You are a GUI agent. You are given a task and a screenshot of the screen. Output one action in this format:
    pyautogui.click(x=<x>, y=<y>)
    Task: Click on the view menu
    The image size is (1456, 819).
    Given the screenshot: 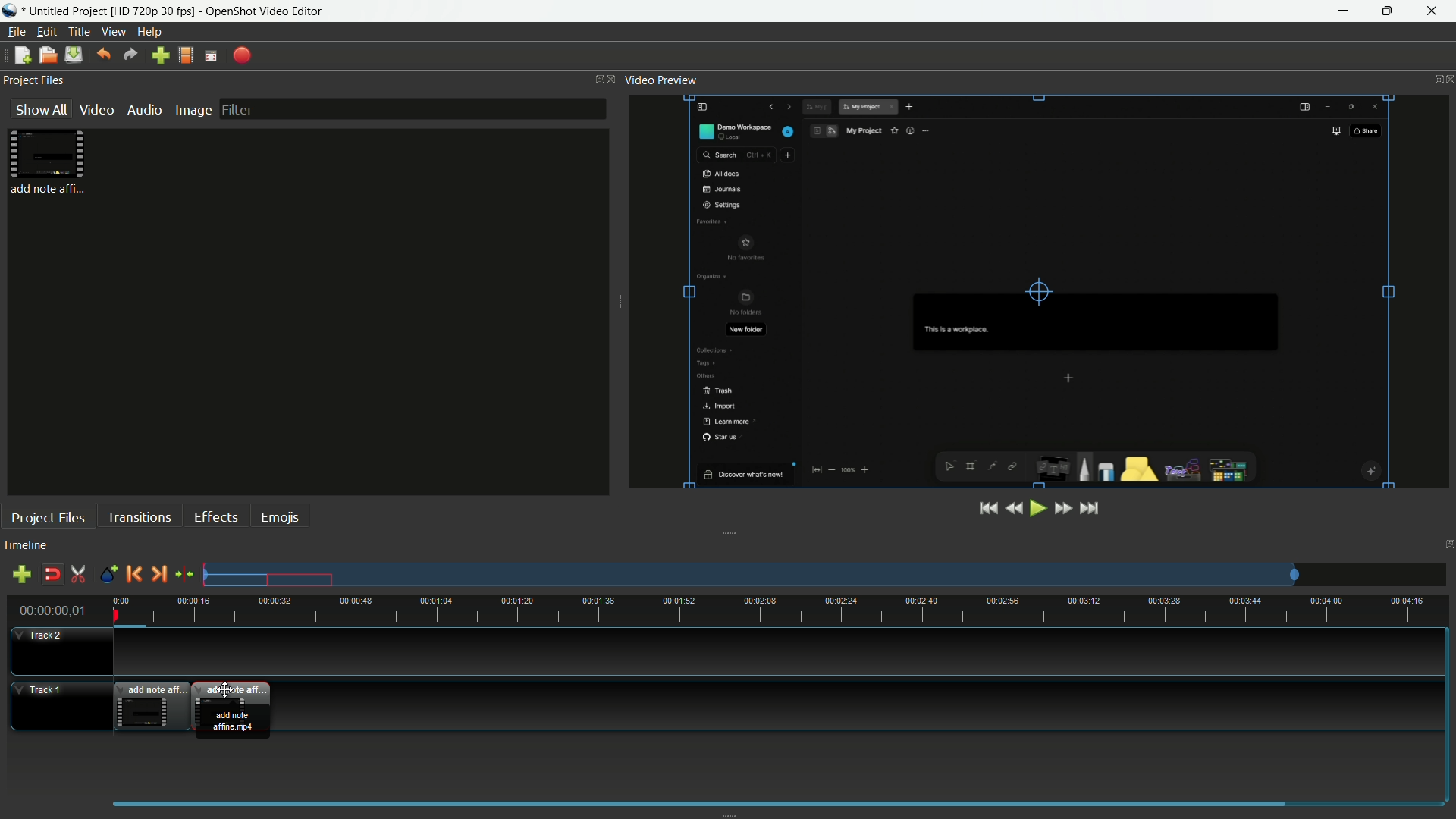 What is the action you would take?
    pyautogui.click(x=113, y=32)
    